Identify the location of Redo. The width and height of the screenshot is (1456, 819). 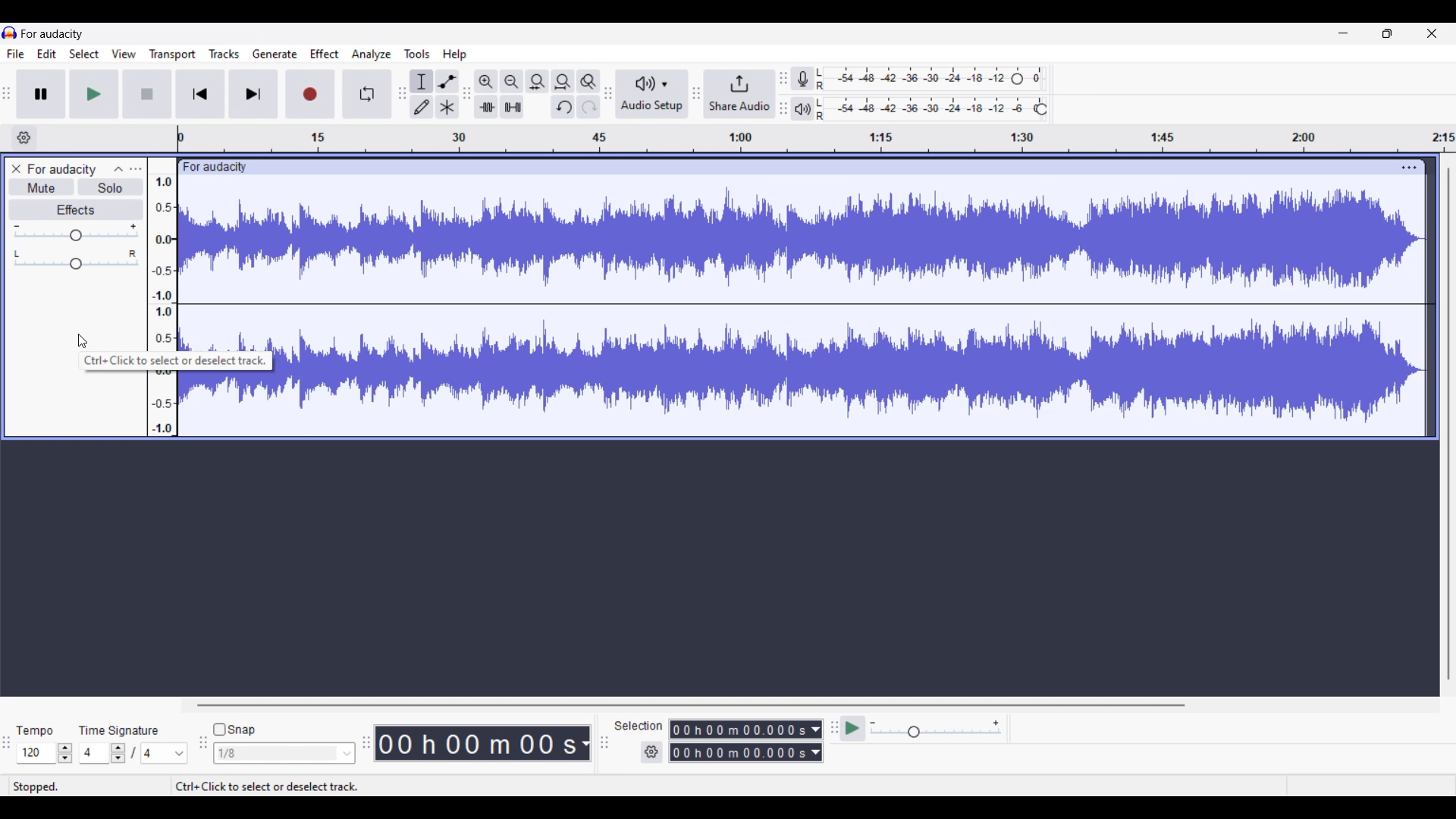
(588, 107).